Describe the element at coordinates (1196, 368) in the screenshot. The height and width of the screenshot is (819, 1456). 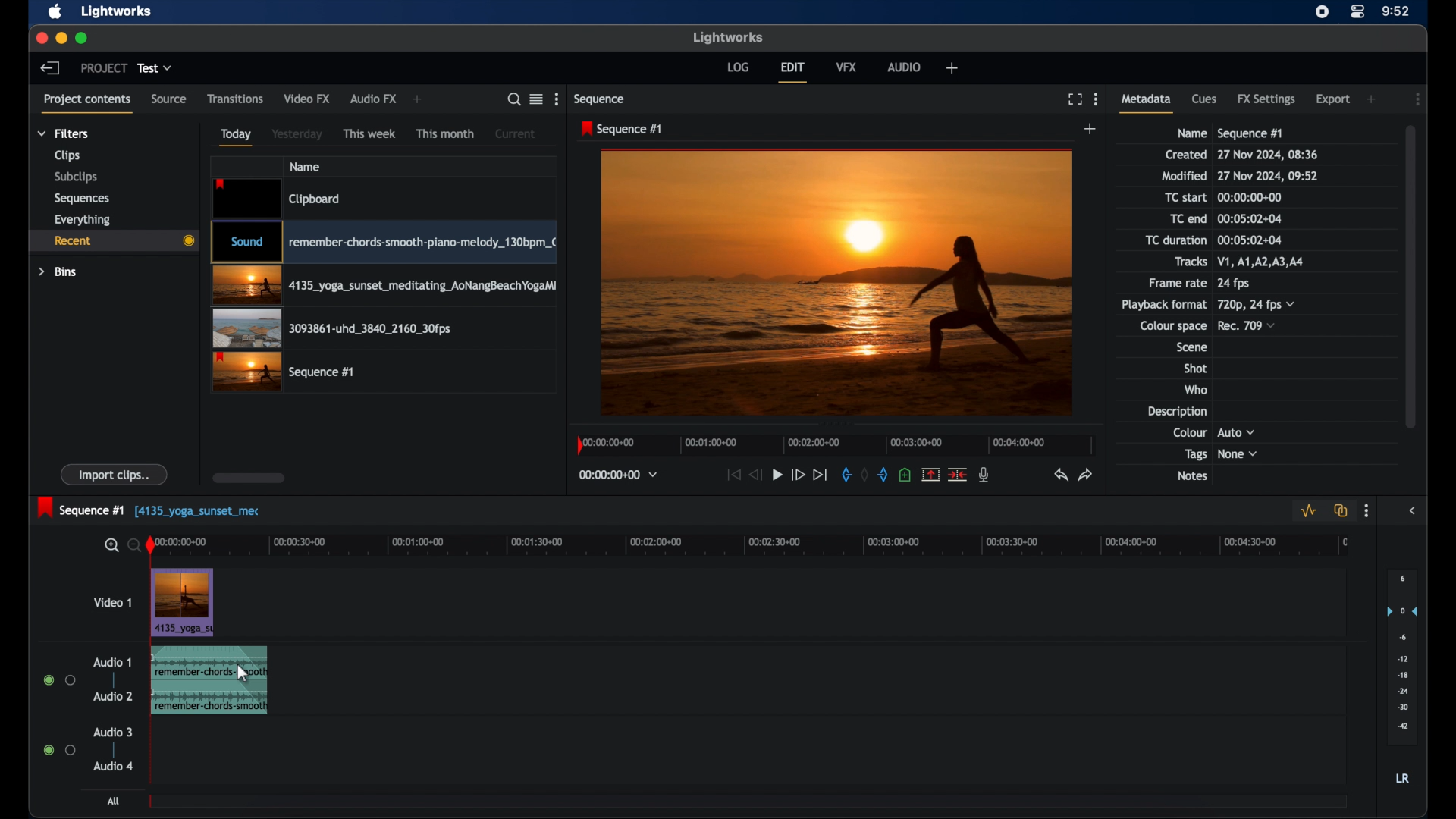
I see `shot` at that location.